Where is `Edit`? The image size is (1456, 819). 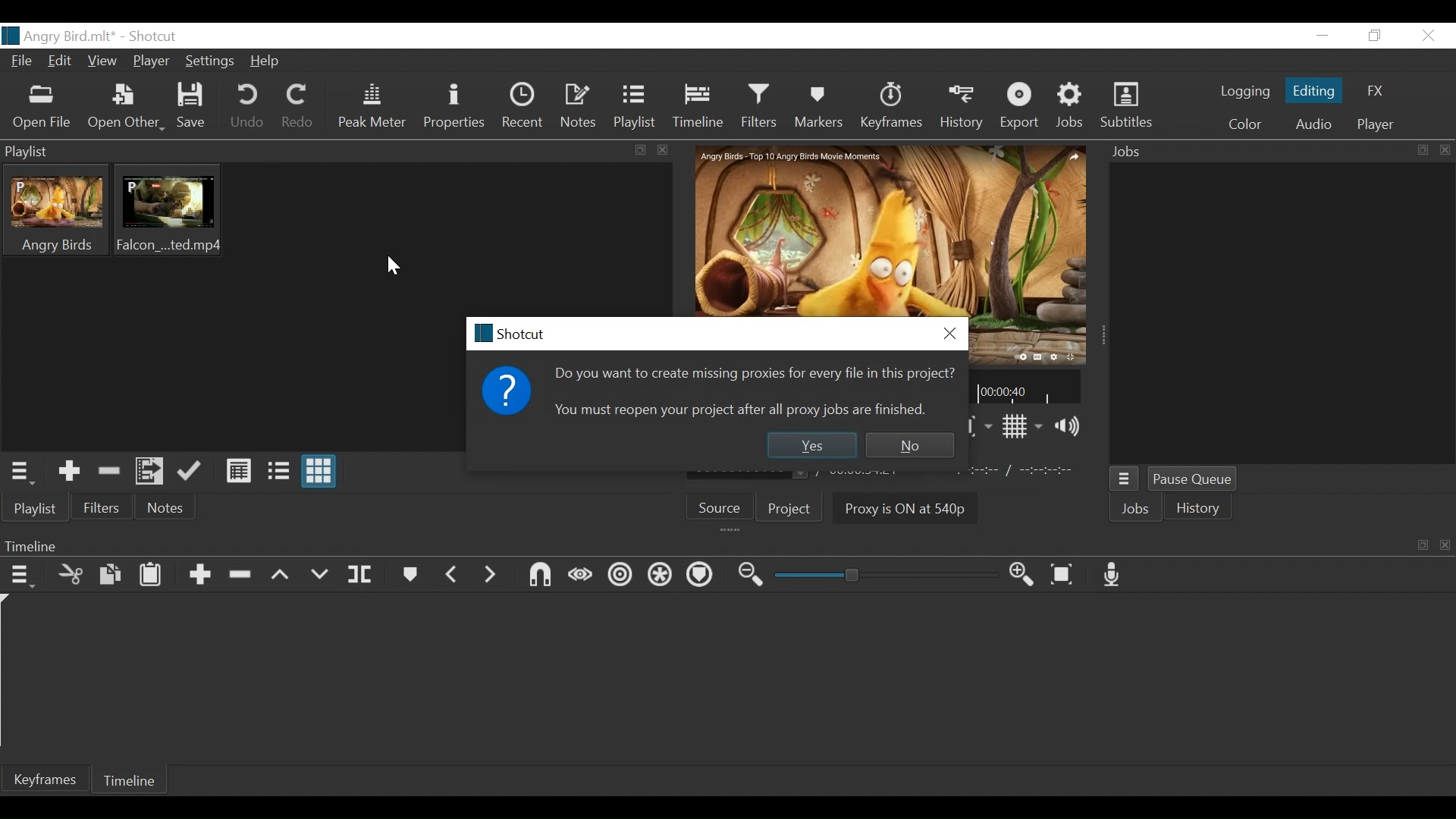 Edit is located at coordinates (61, 61).